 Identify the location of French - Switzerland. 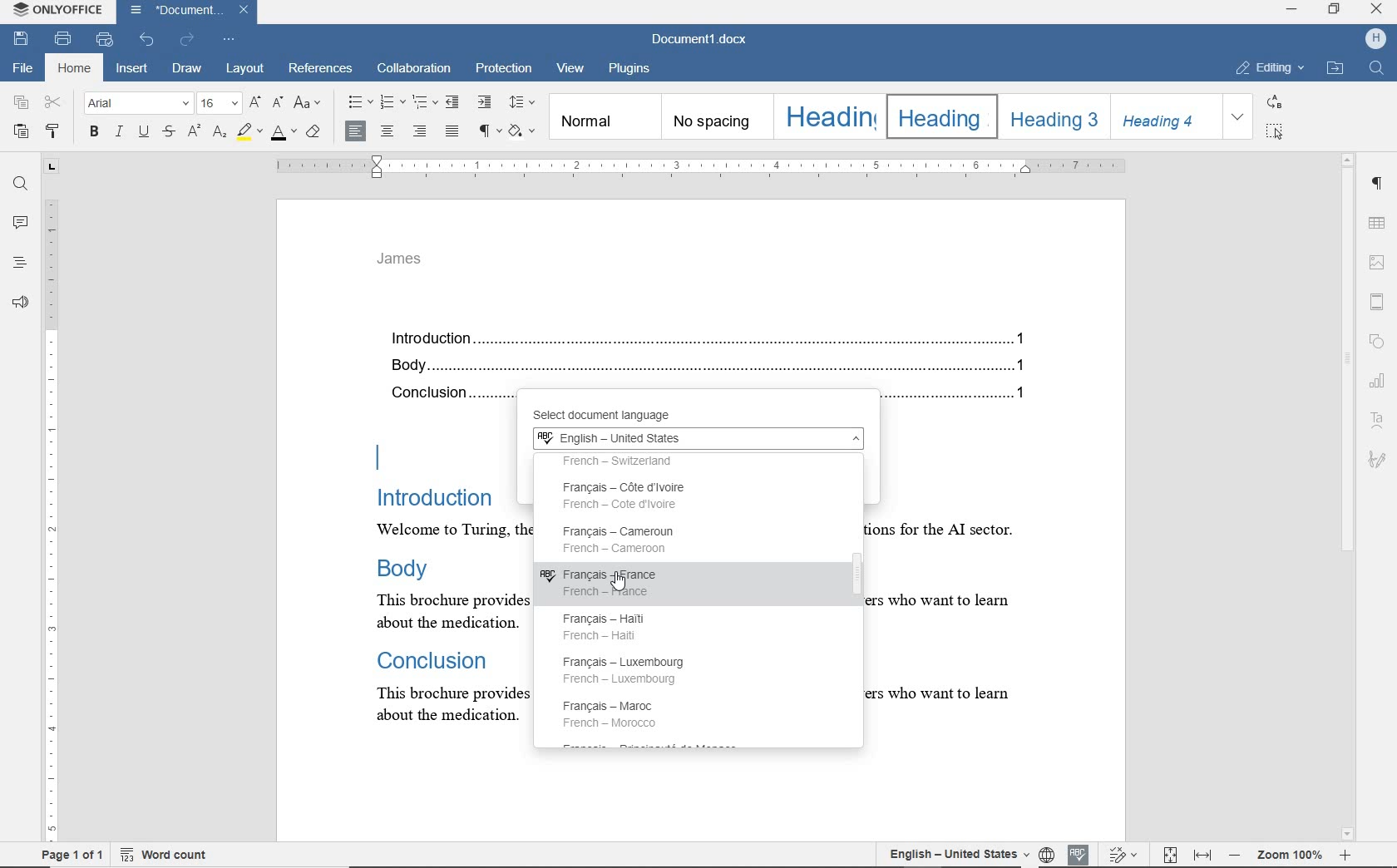
(649, 463).